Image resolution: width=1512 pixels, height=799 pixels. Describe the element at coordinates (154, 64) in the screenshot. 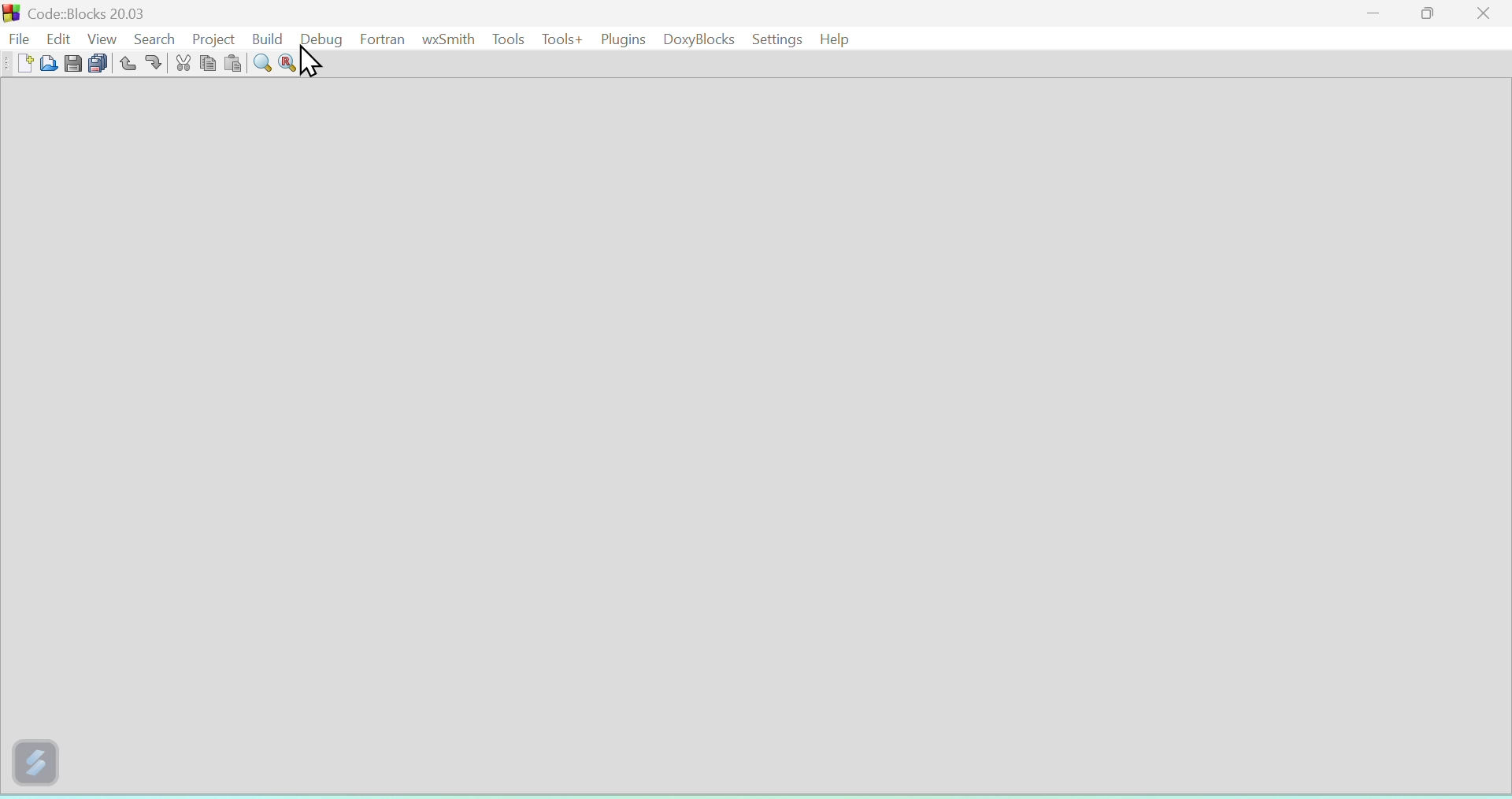

I see `redo` at that location.